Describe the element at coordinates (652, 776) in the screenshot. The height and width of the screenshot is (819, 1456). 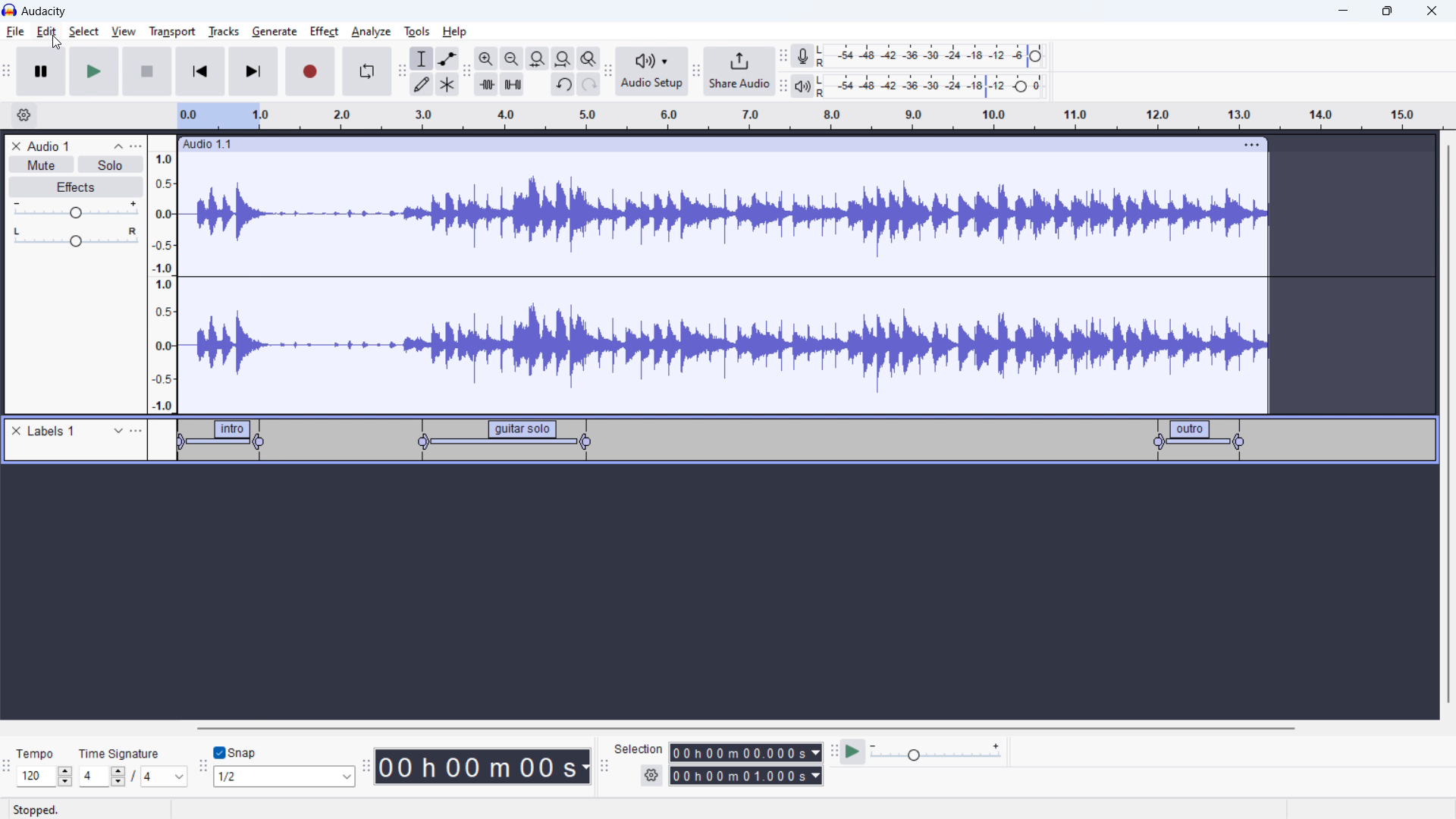
I see `selection settings` at that location.